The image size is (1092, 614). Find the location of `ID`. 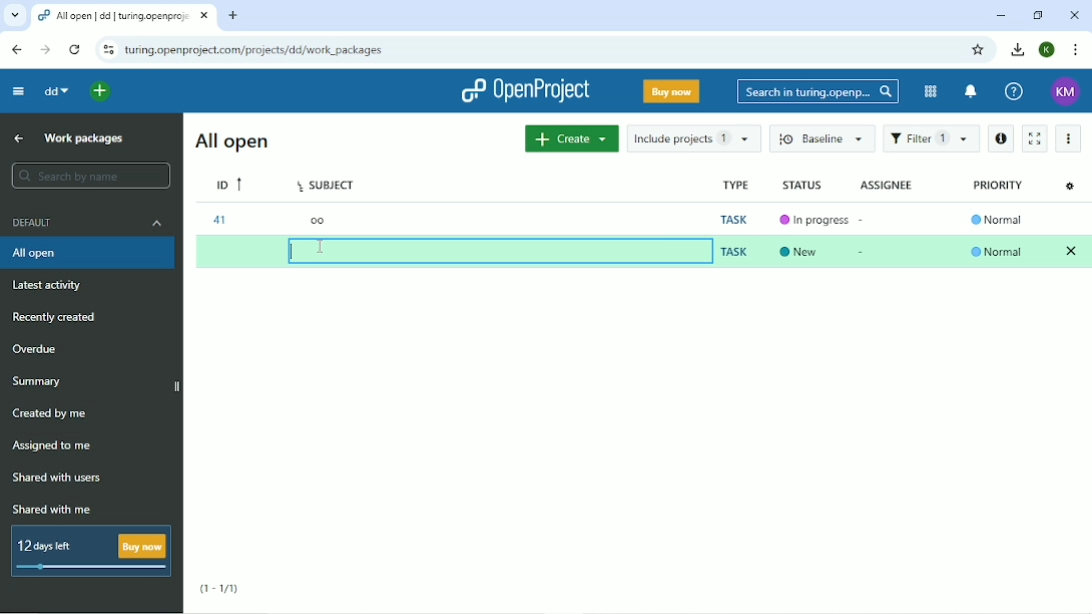

ID is located at coordinates (227, 184).